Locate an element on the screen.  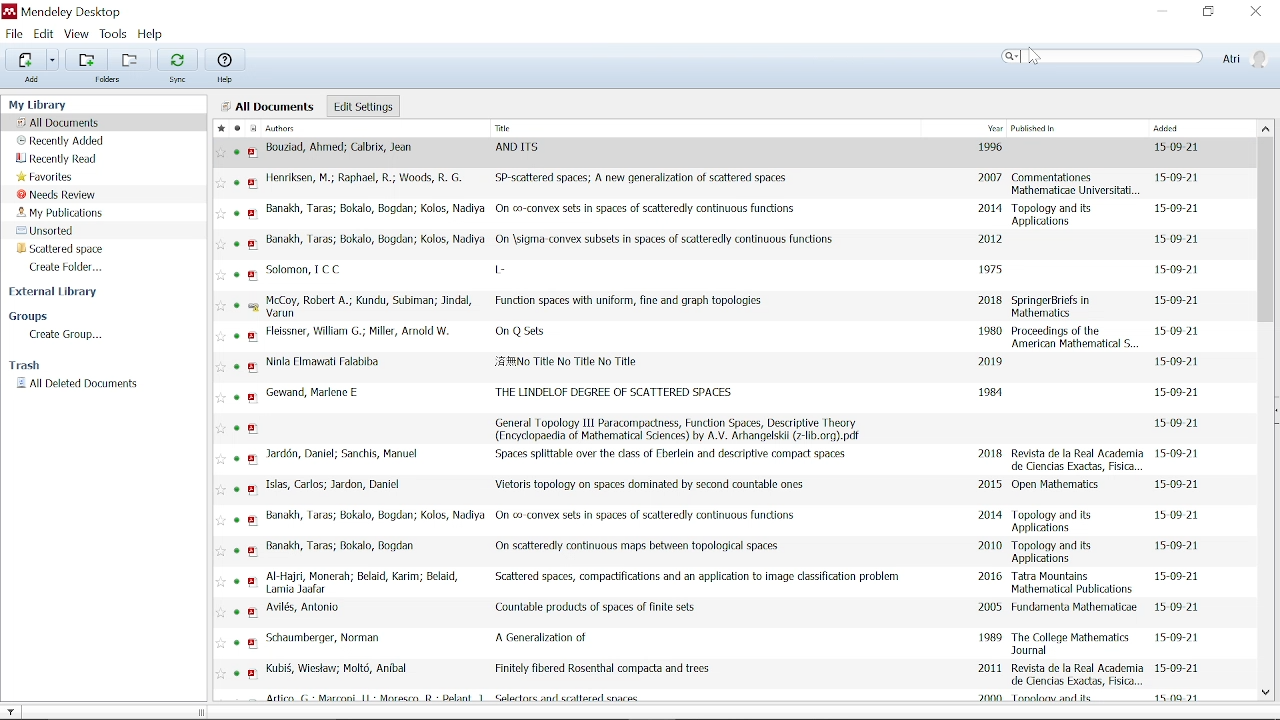
Add to favorite is located at coordinates (221, 367).